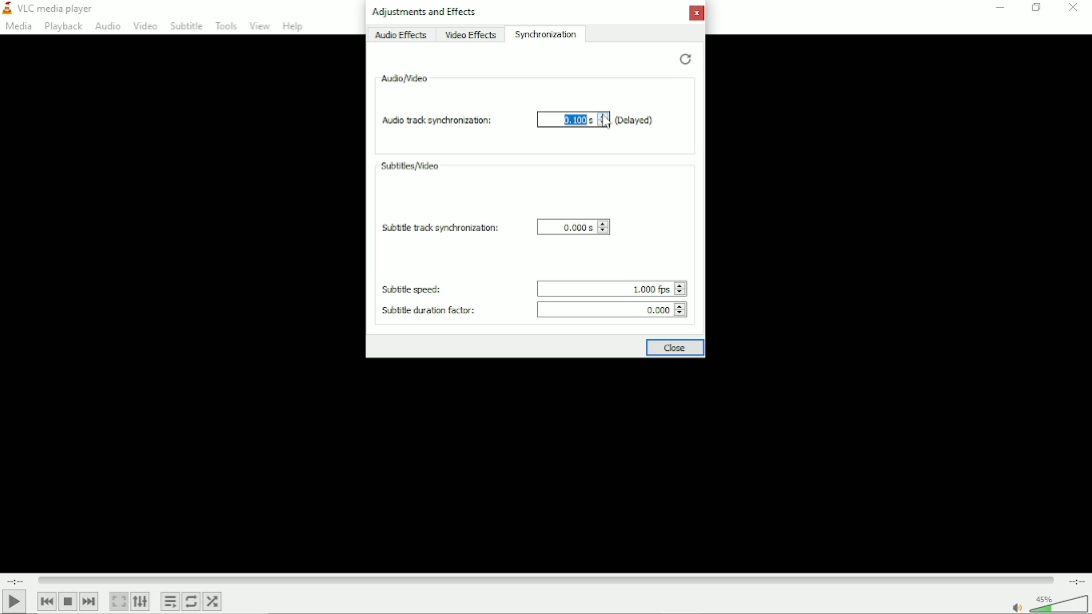 This screenshot has width=1092, height=614. What do you see at coordinates (1071, 8) in the screenshot?
I see `Close` at bounding box center [1071, 8].